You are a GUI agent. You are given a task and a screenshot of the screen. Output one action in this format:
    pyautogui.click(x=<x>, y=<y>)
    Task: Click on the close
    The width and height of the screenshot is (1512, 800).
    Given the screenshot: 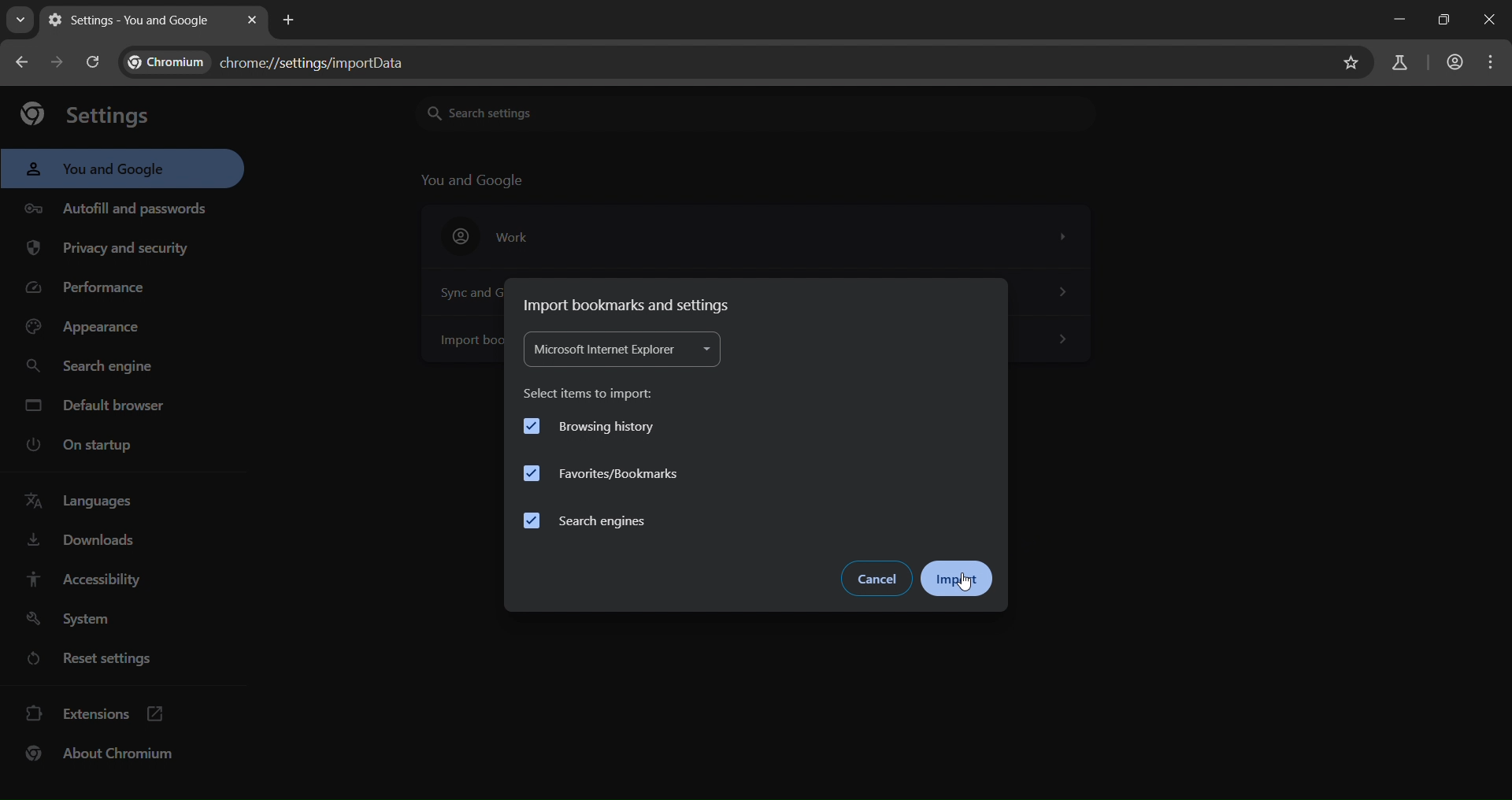 What is the action you would take?
    pyautogui.click(x=1490, y=20)
    